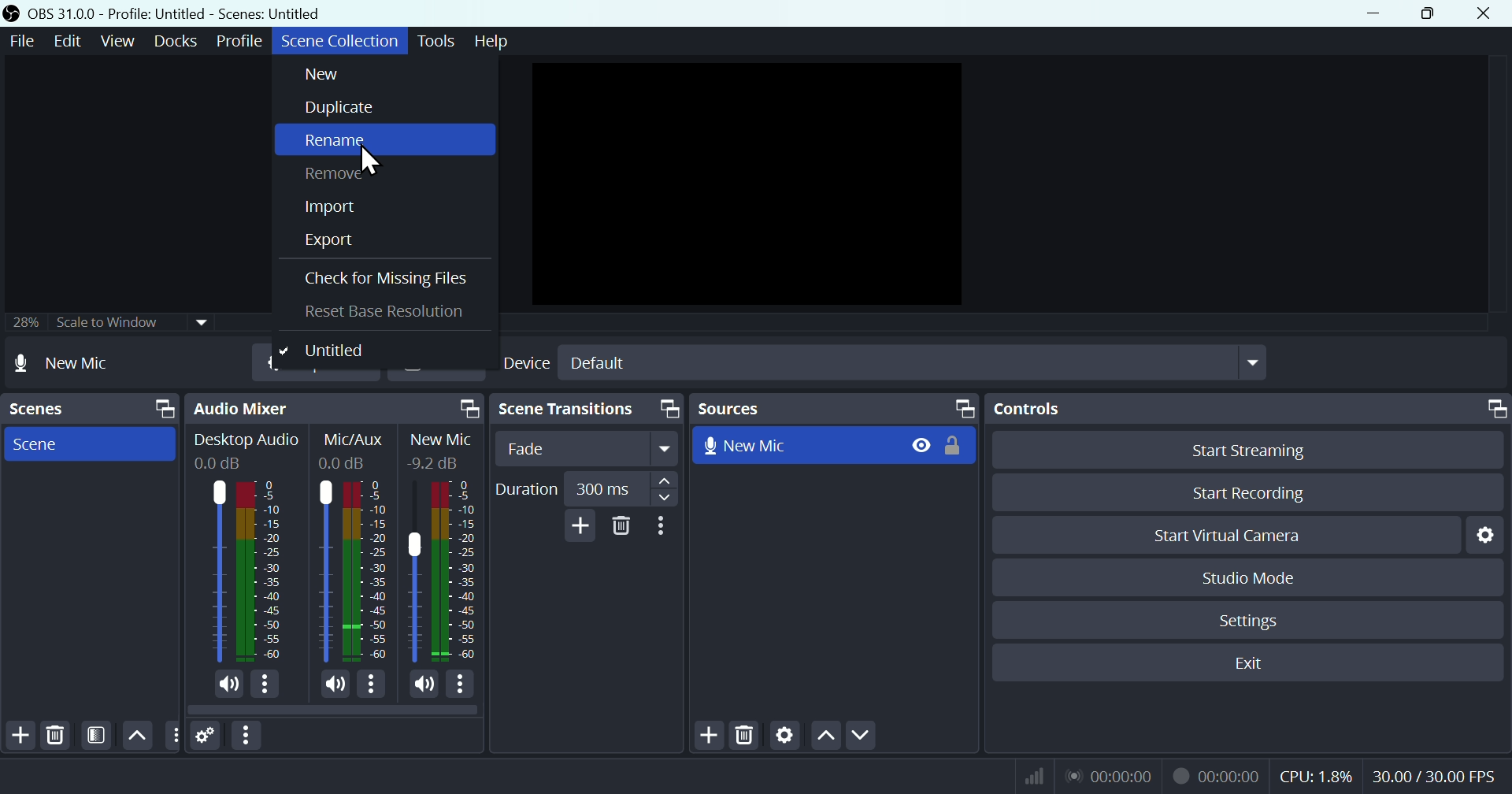 Image resolution: width=1512 pixels, height=794 pixels. I want to click on (un)lock, so click(956, 446).